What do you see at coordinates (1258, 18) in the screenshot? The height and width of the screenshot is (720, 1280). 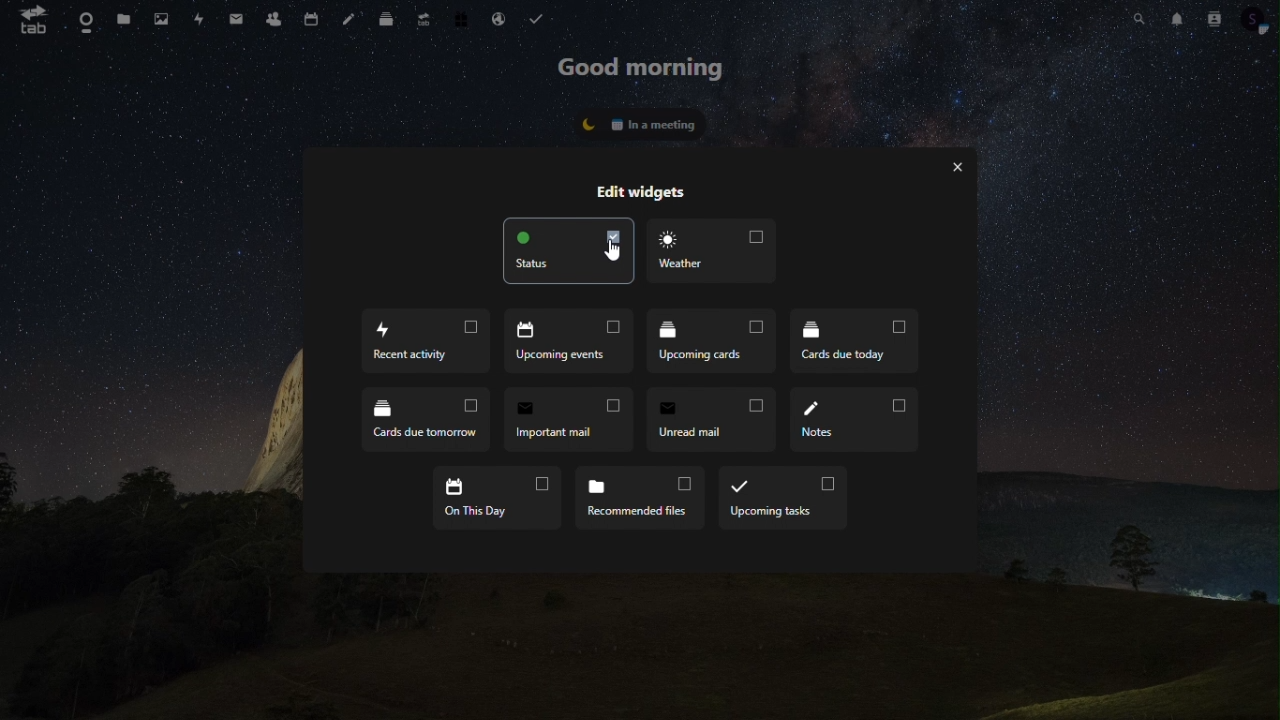 I see `account` at bounding box center [1258, 18].